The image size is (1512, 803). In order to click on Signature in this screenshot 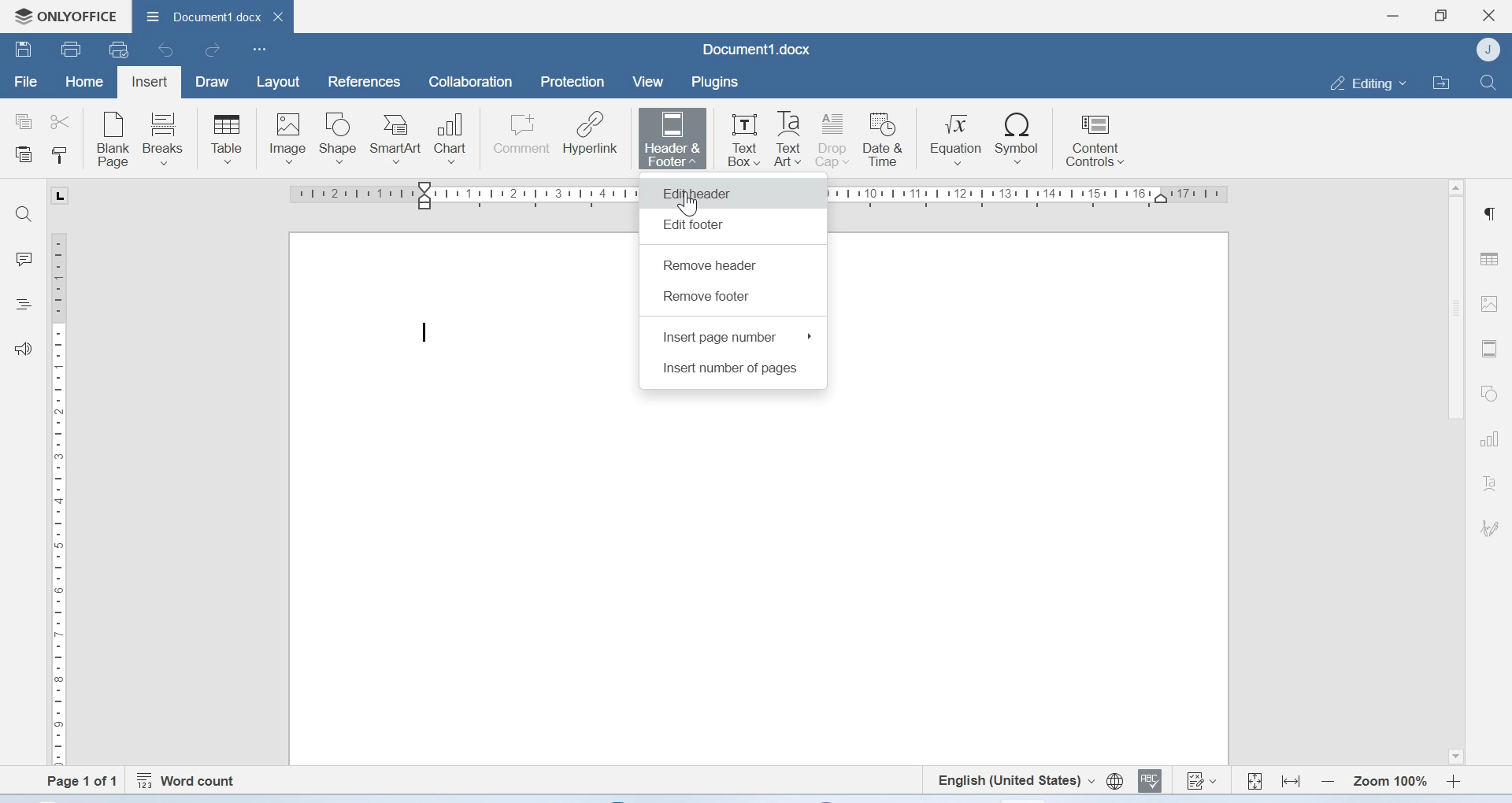, I will do `click(1488, 526)`.